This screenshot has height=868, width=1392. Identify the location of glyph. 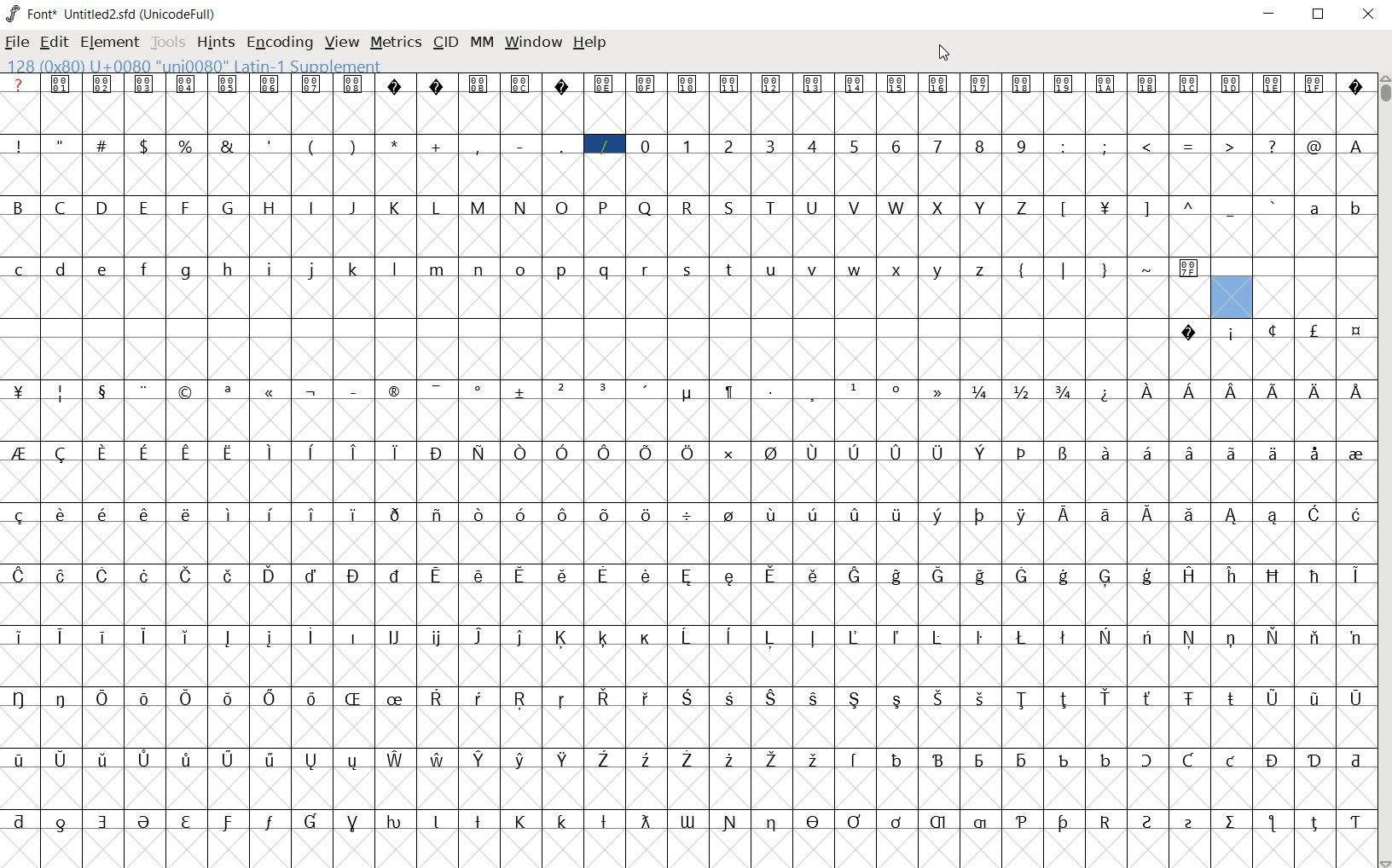
(939, 271).